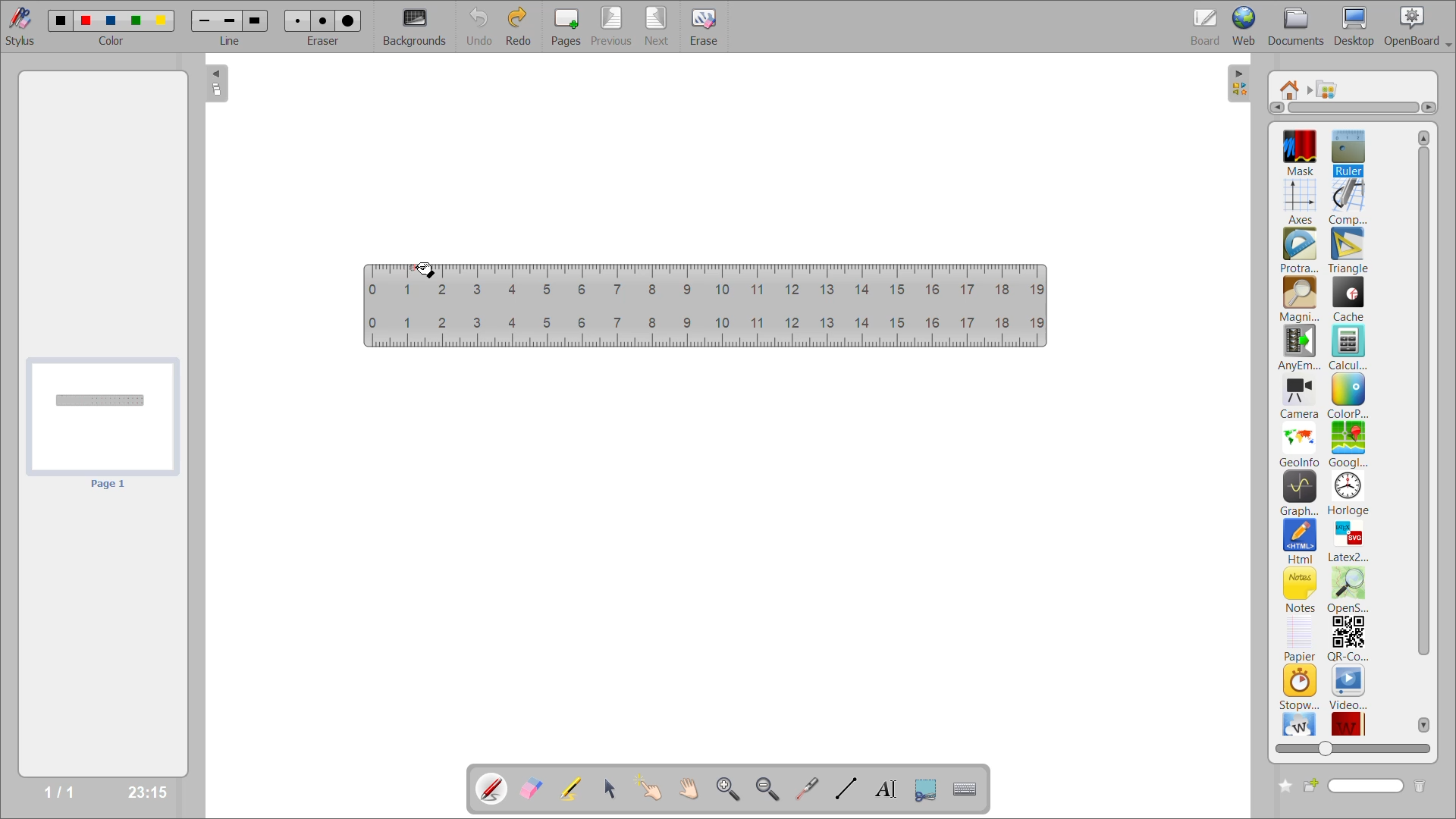 This screenshot has height=819, width=1456. I want to click on ruler, so click(705, 306).